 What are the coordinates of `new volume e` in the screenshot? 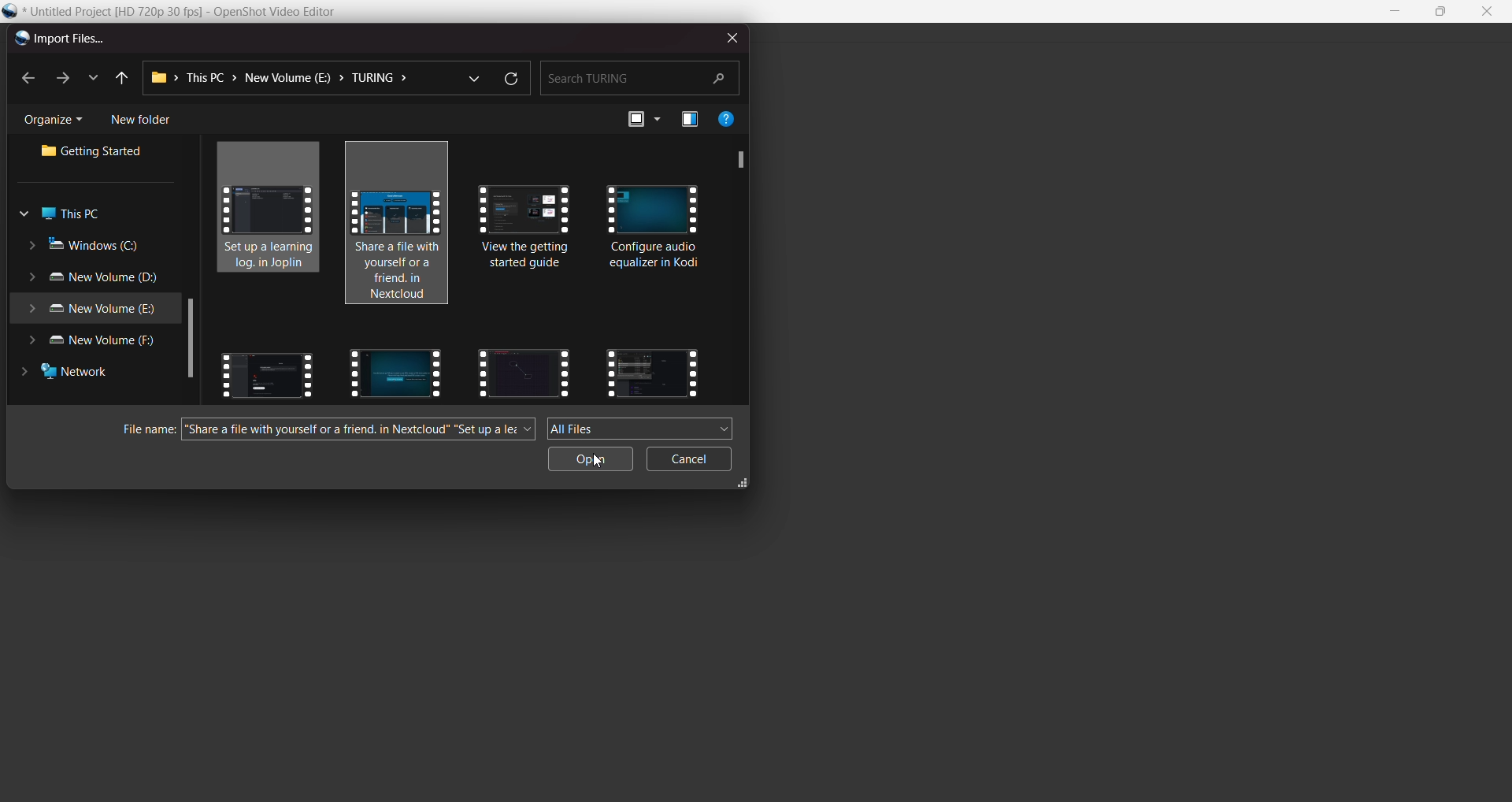 It's located at (91, 310).